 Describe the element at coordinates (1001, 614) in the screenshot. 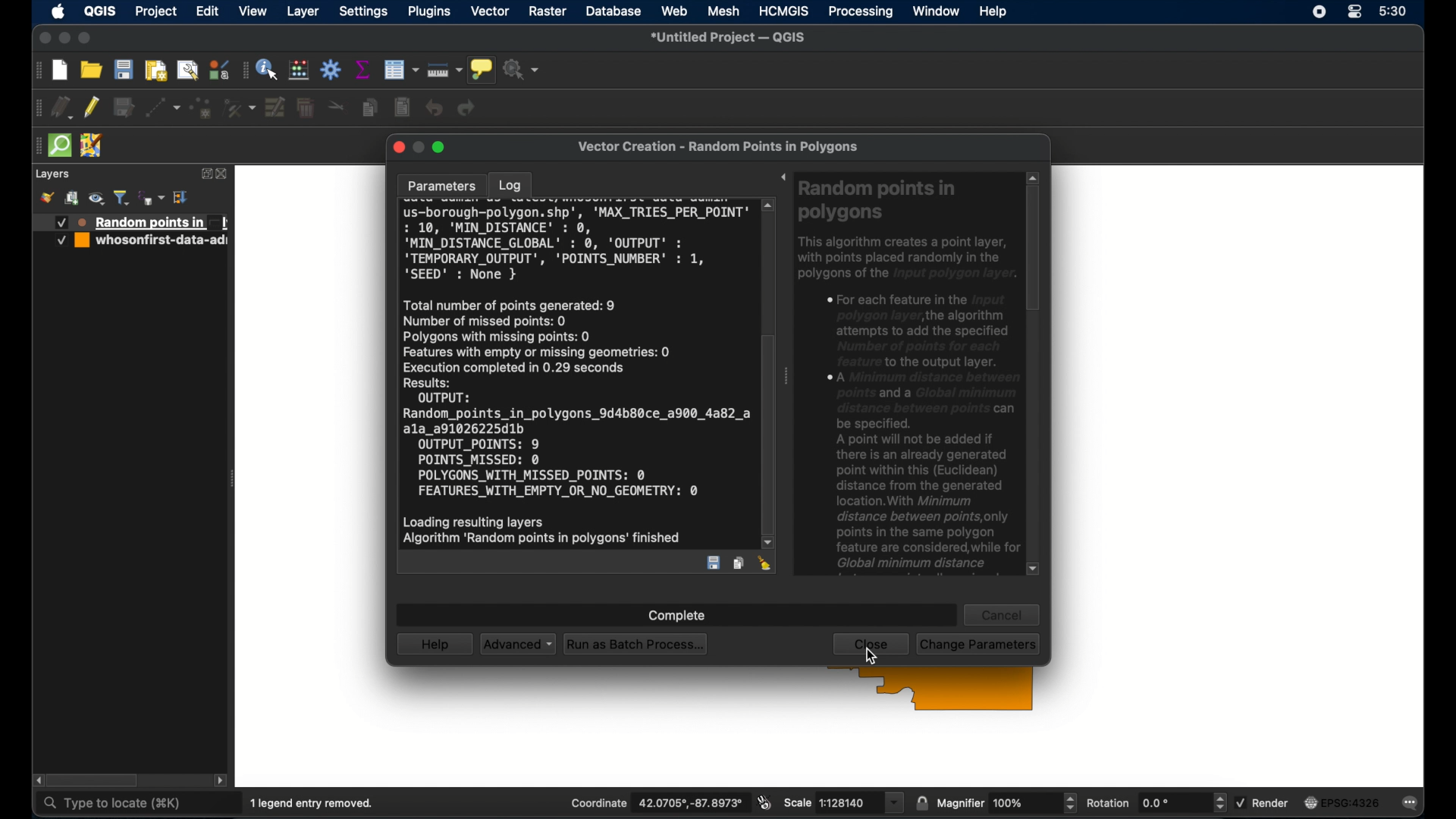

I see `cancel` at that location.